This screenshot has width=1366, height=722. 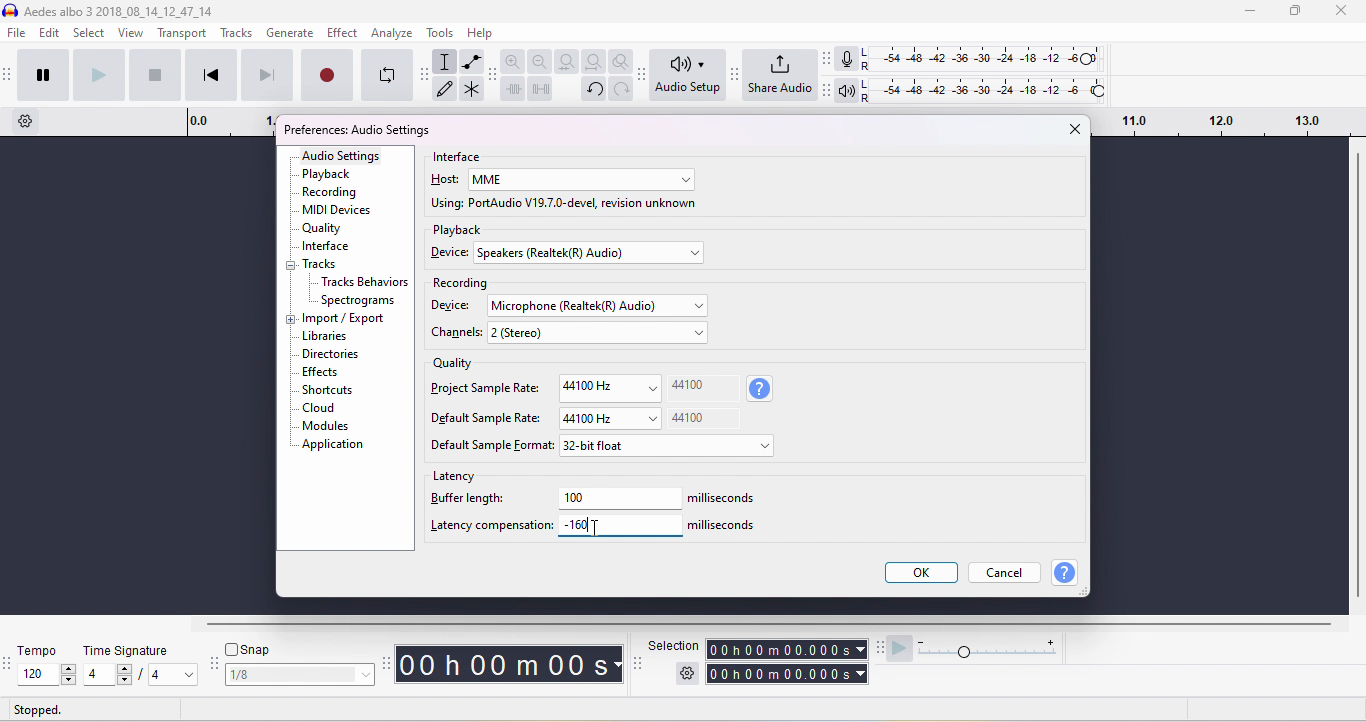 What do you see at coordinates (540, 61) in the screenshot?
I see `zoom out` at bounding box center [540, 61].